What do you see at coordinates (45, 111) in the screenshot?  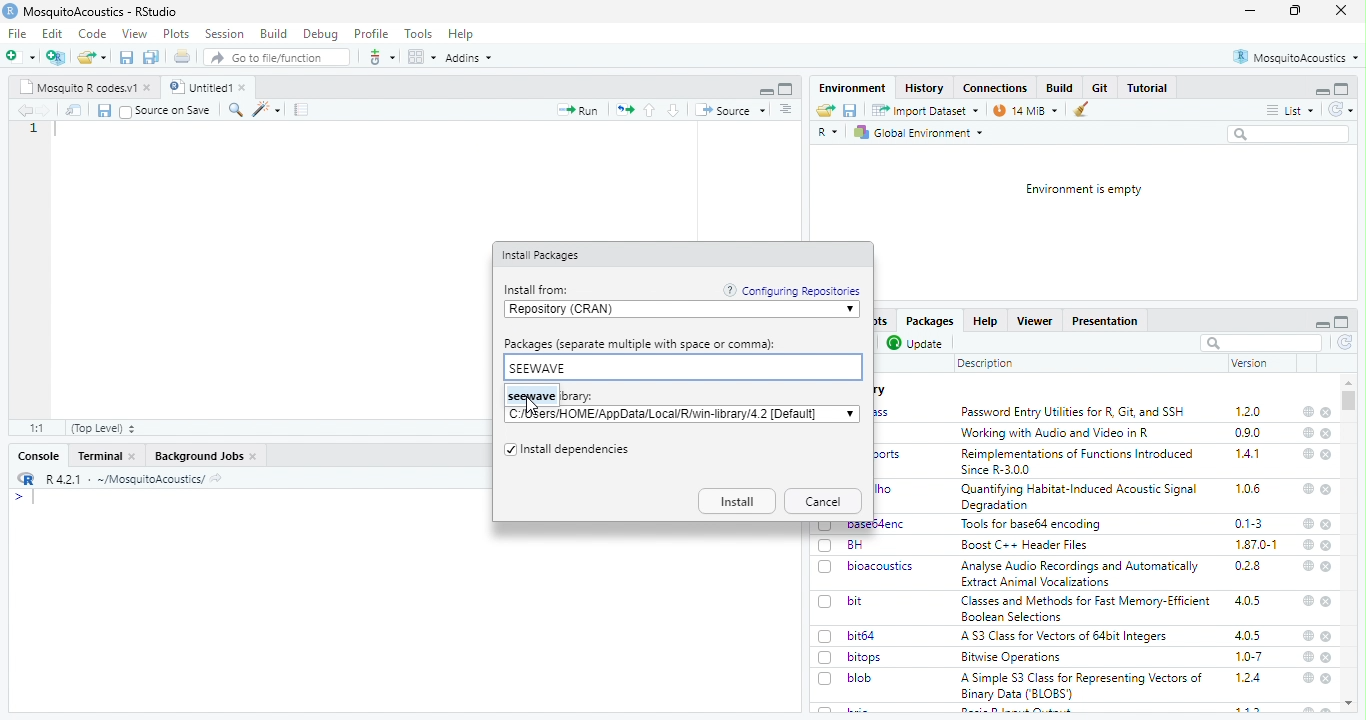 I see `forward` at bounding box center [45, 111].